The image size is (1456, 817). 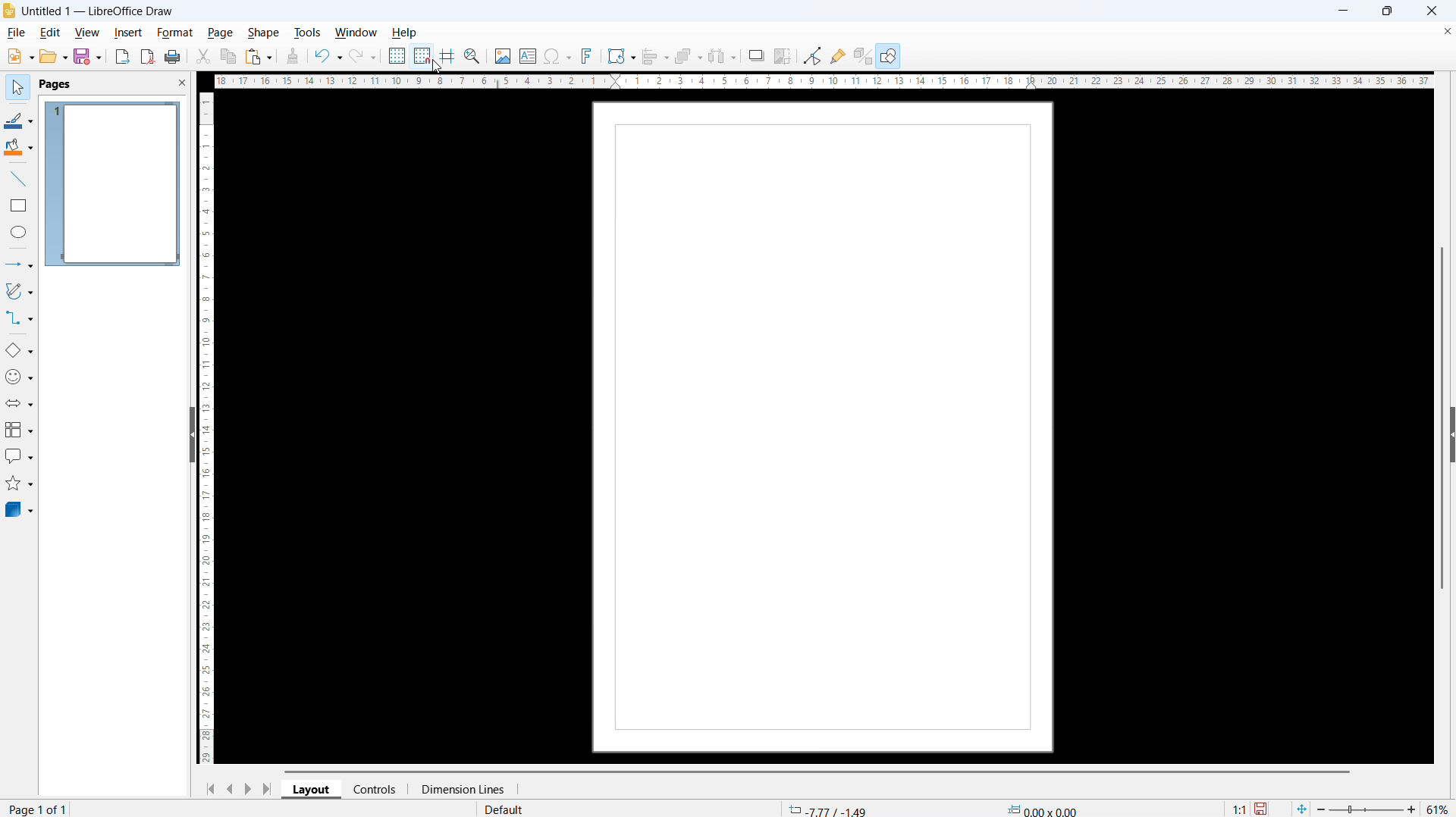 What do you see at coordinates (448, 55) in the screenshot?
I see `Helplines while moving ` at bounding box center [448, 55].